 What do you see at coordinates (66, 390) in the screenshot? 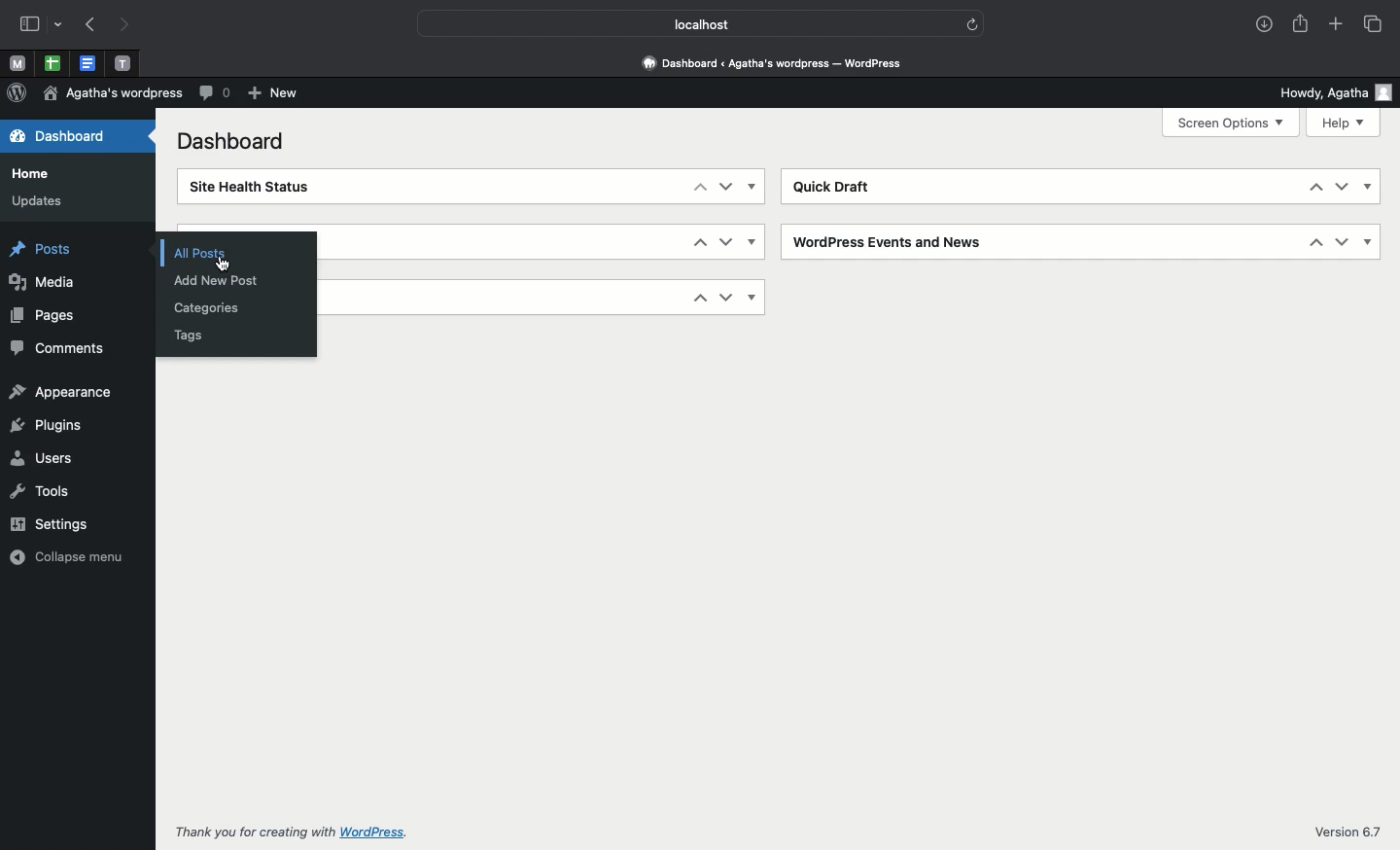
I see `Appearance` at bounding box center [66, 390].